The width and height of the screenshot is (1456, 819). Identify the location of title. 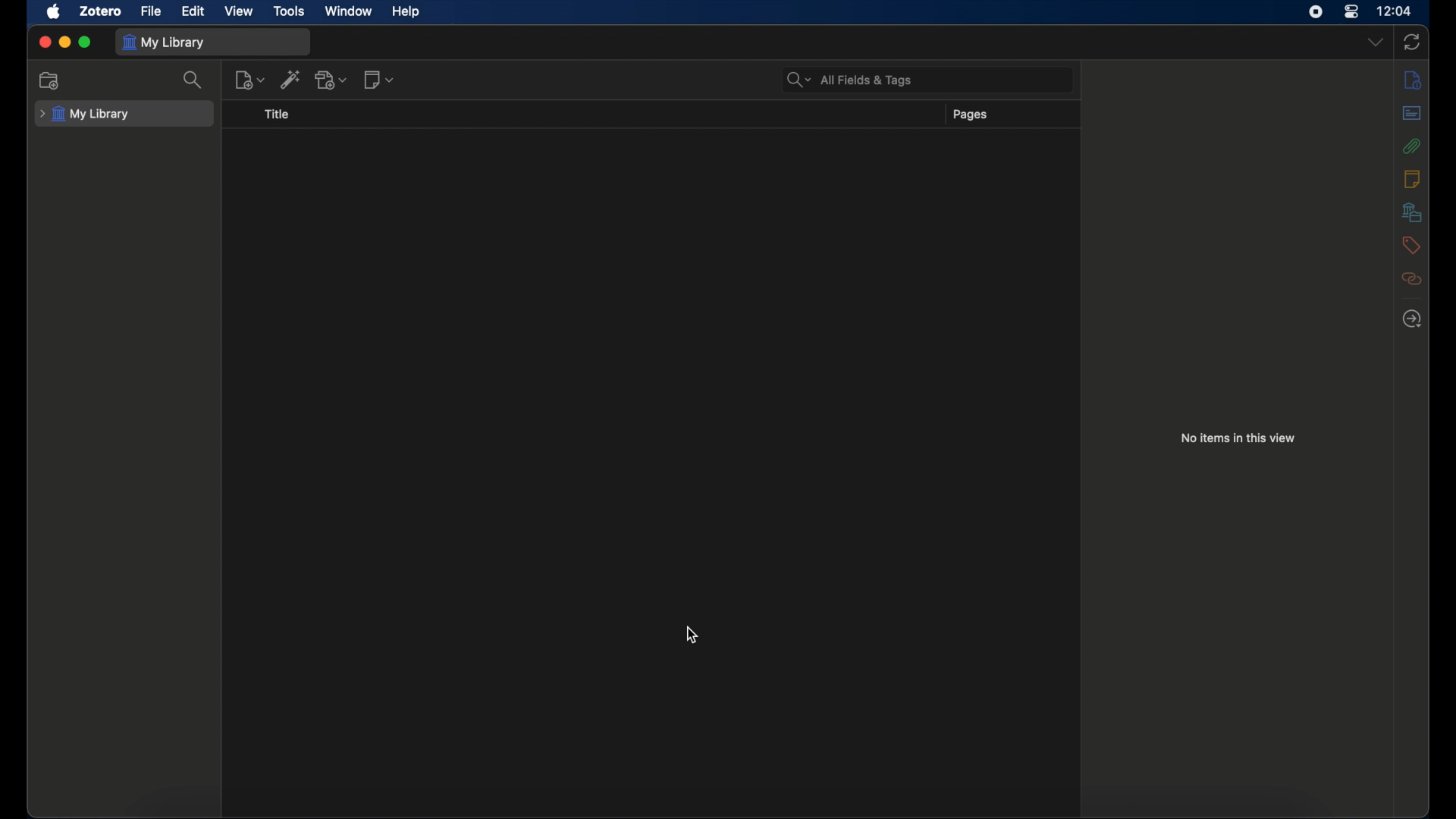
(276, 115).